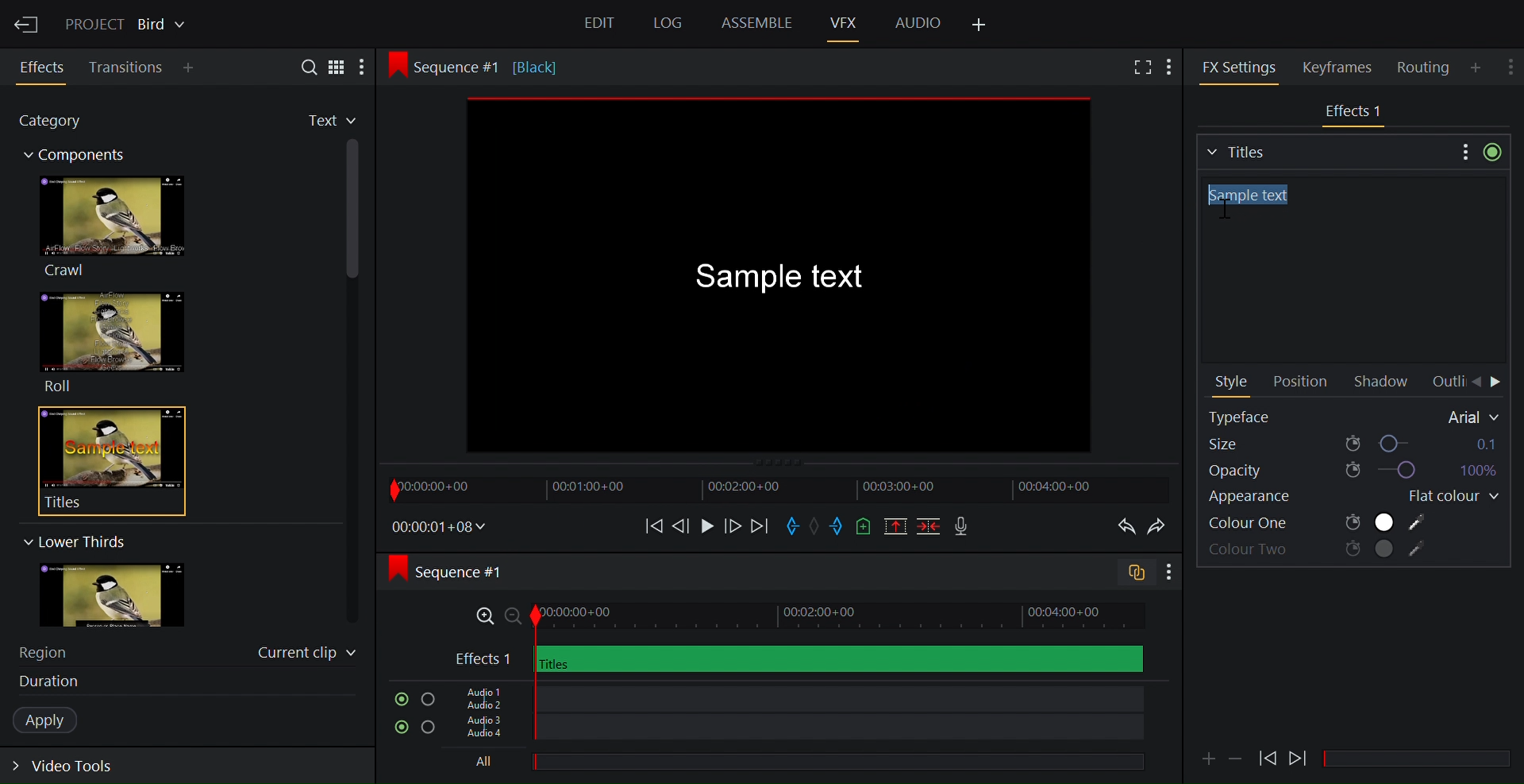 The width and height of the screenshot is (1524, 784). I want to click on Transition, so click(127, 67).